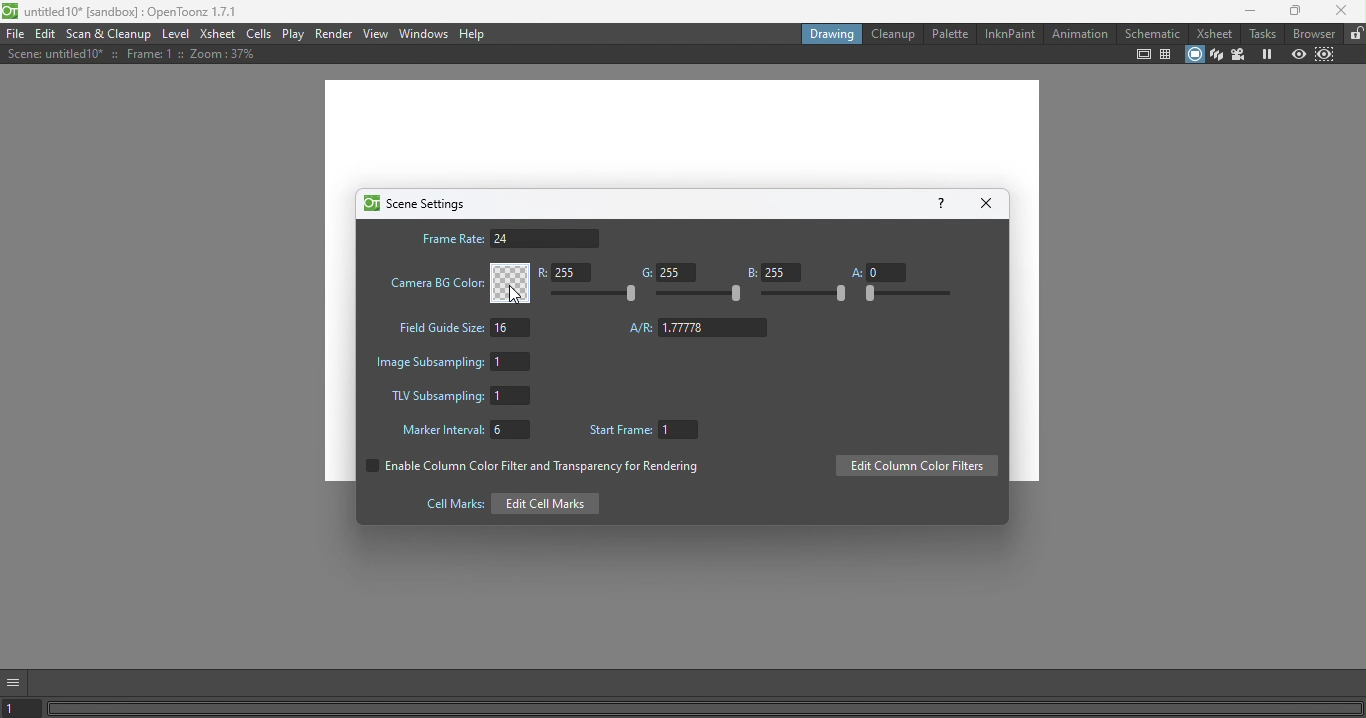 This screenshot has width=1366, height=718. What do you see at coordinates (461, 330) in the screenshot?
I see `Field guide size` at bounding box center [461, 330].